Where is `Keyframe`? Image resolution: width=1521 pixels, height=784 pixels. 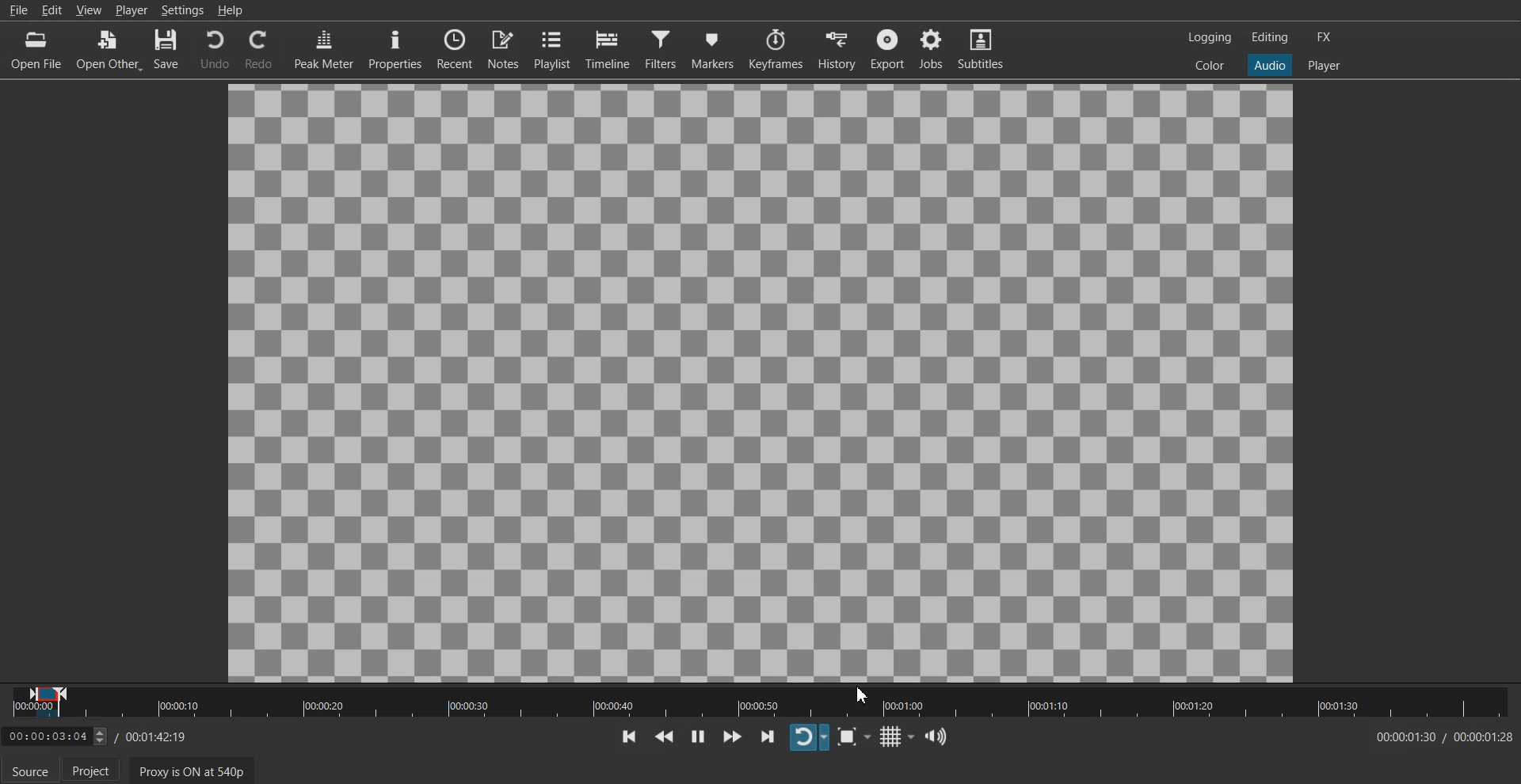
Keyframe is located at coordinates (776, 49).